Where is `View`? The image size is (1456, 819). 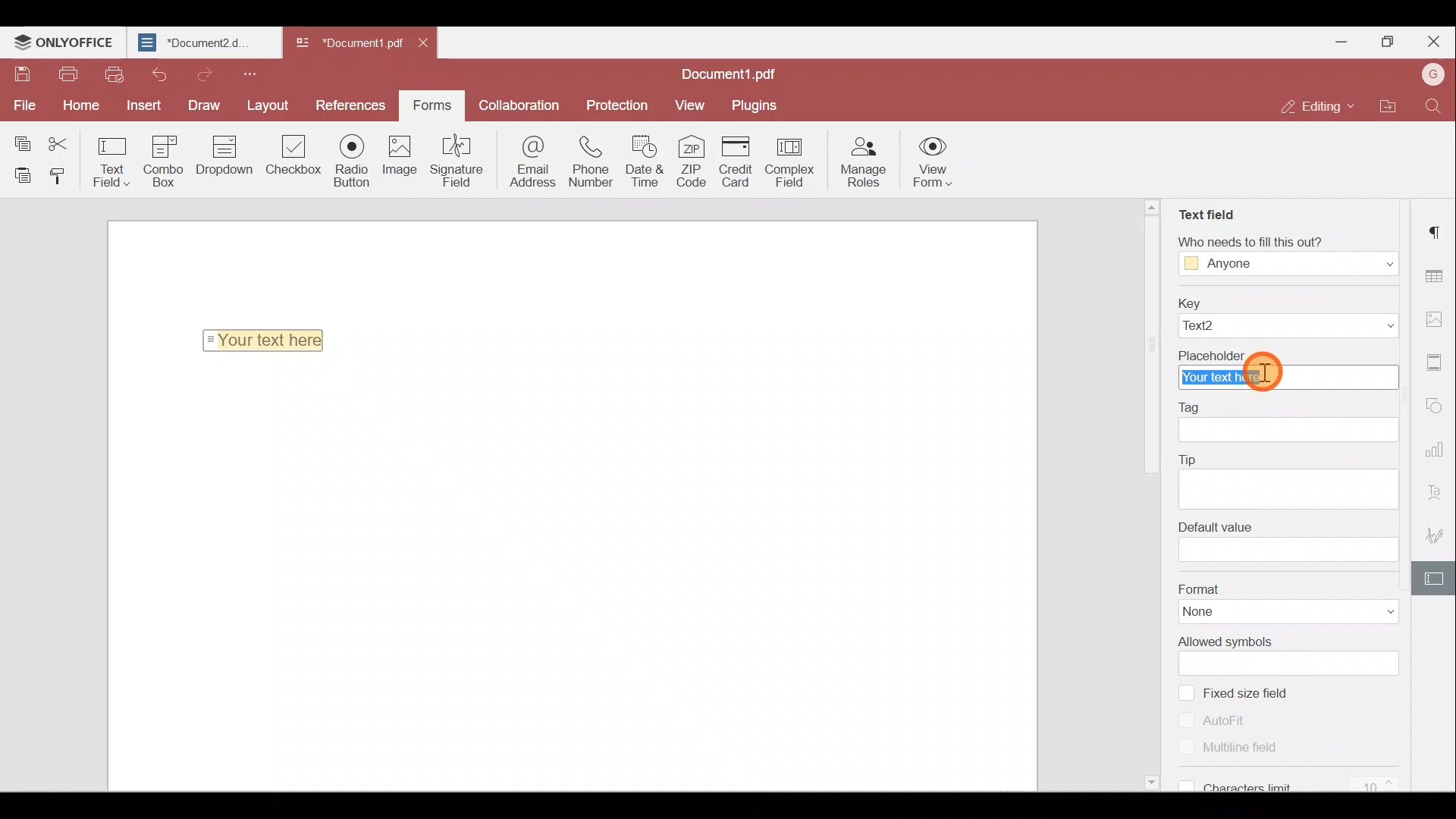
View is located at coordinates (691, 105).